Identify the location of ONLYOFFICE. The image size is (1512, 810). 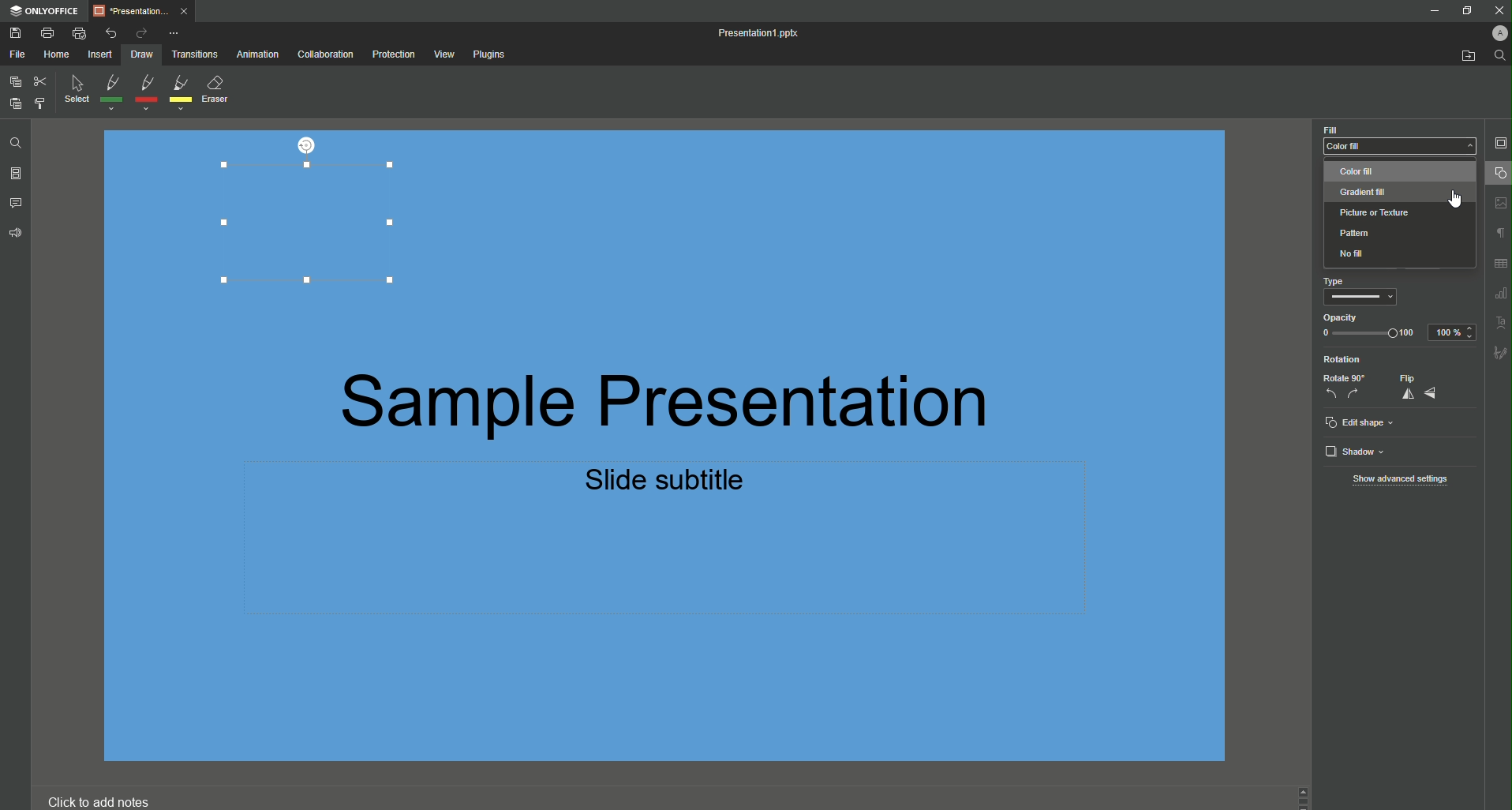
(47, 10).